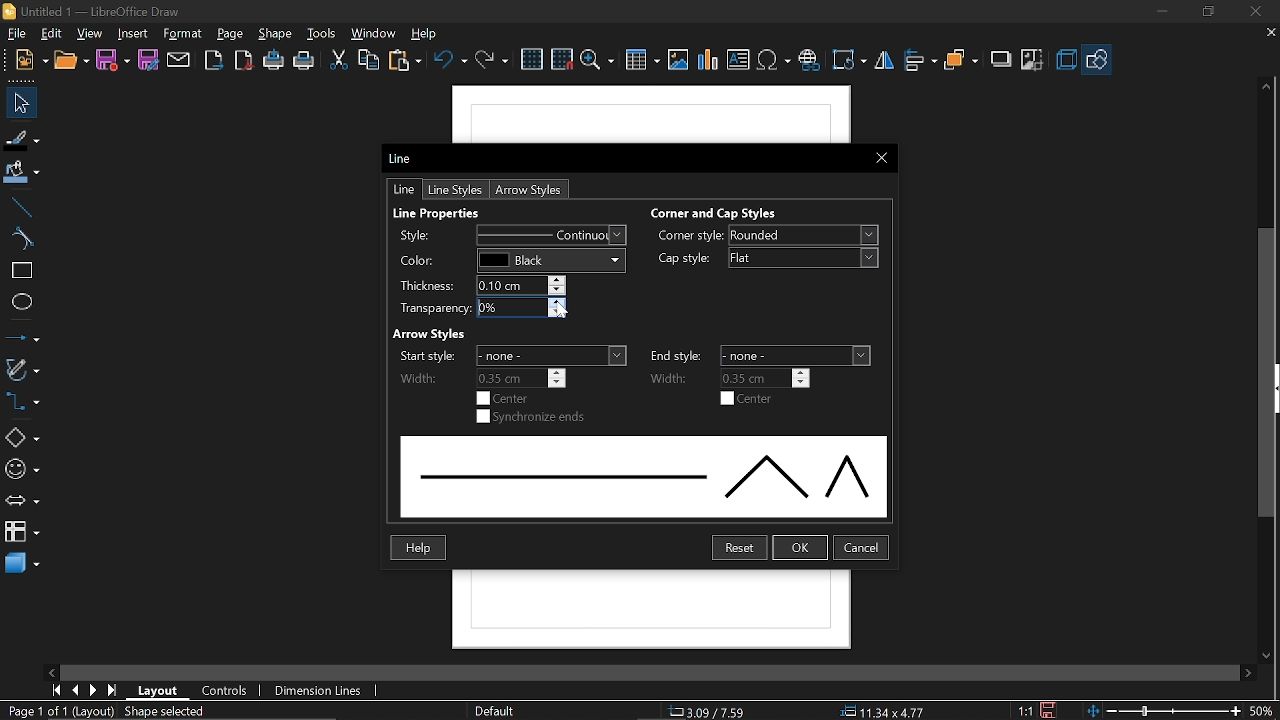 The height and width of the screenshot is (720, 1280). I want to click on allign, so click(919, 61).